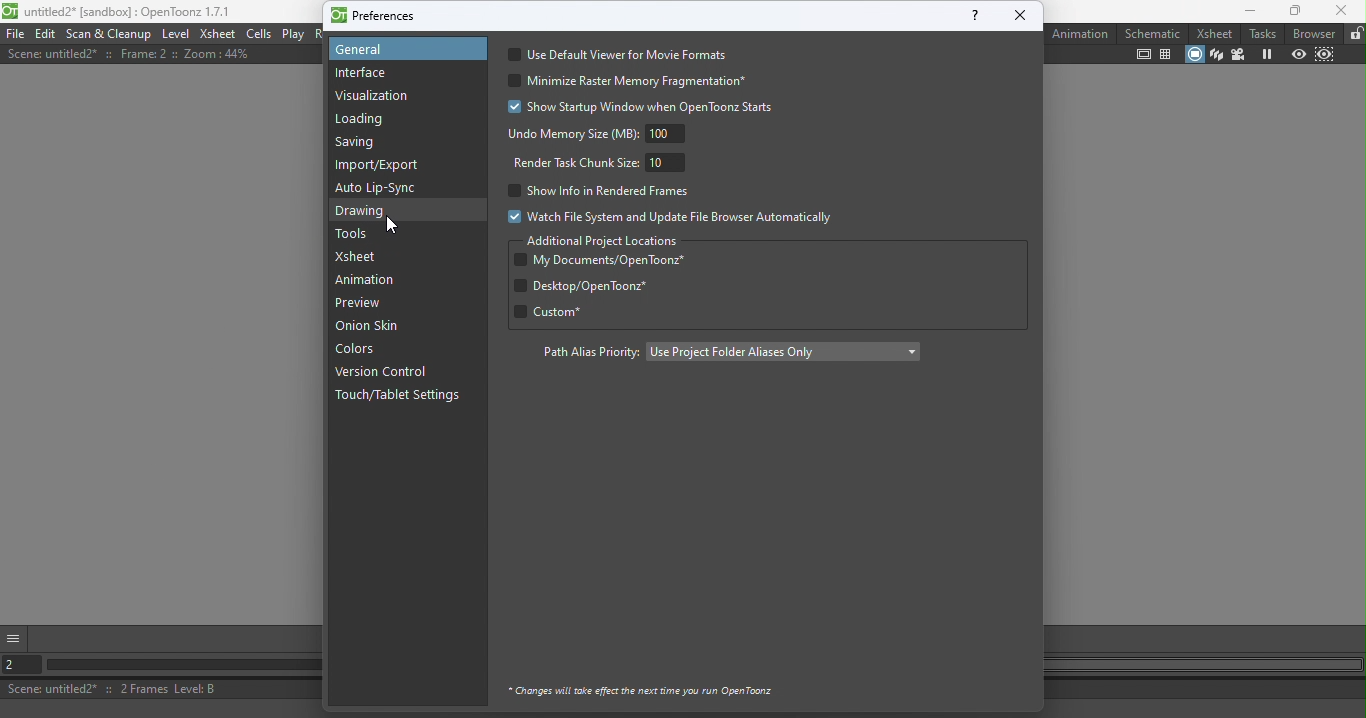  What do you see at coordinates (1144, 55) in the screenshot?
I see `Safe area` at bounding box center [1144, 55].